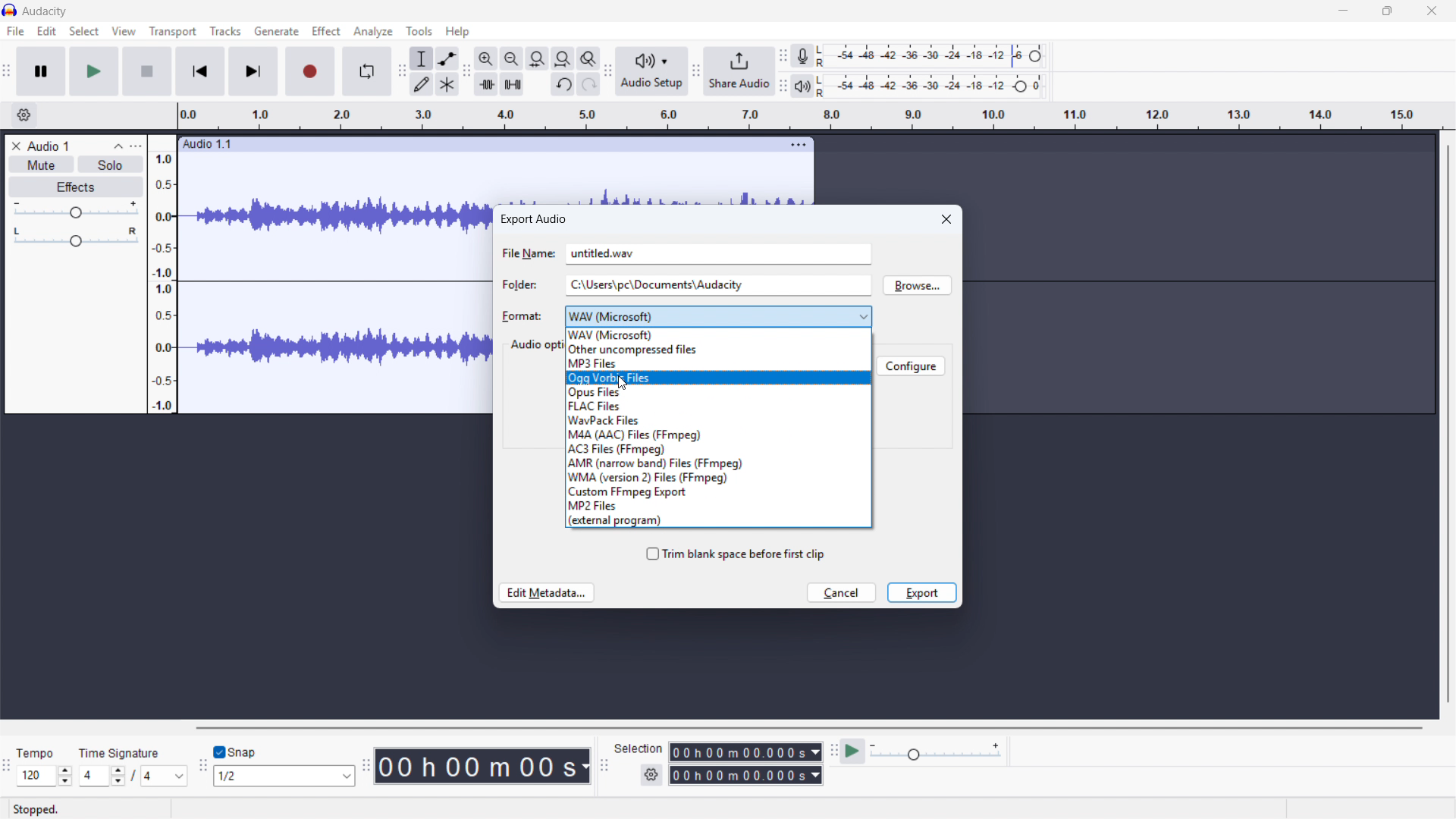 The height and width of the screenshot is (819, 1456). Describe the element at coordinates (109, 165) in the screenshot. I see `Solo ` at that location.